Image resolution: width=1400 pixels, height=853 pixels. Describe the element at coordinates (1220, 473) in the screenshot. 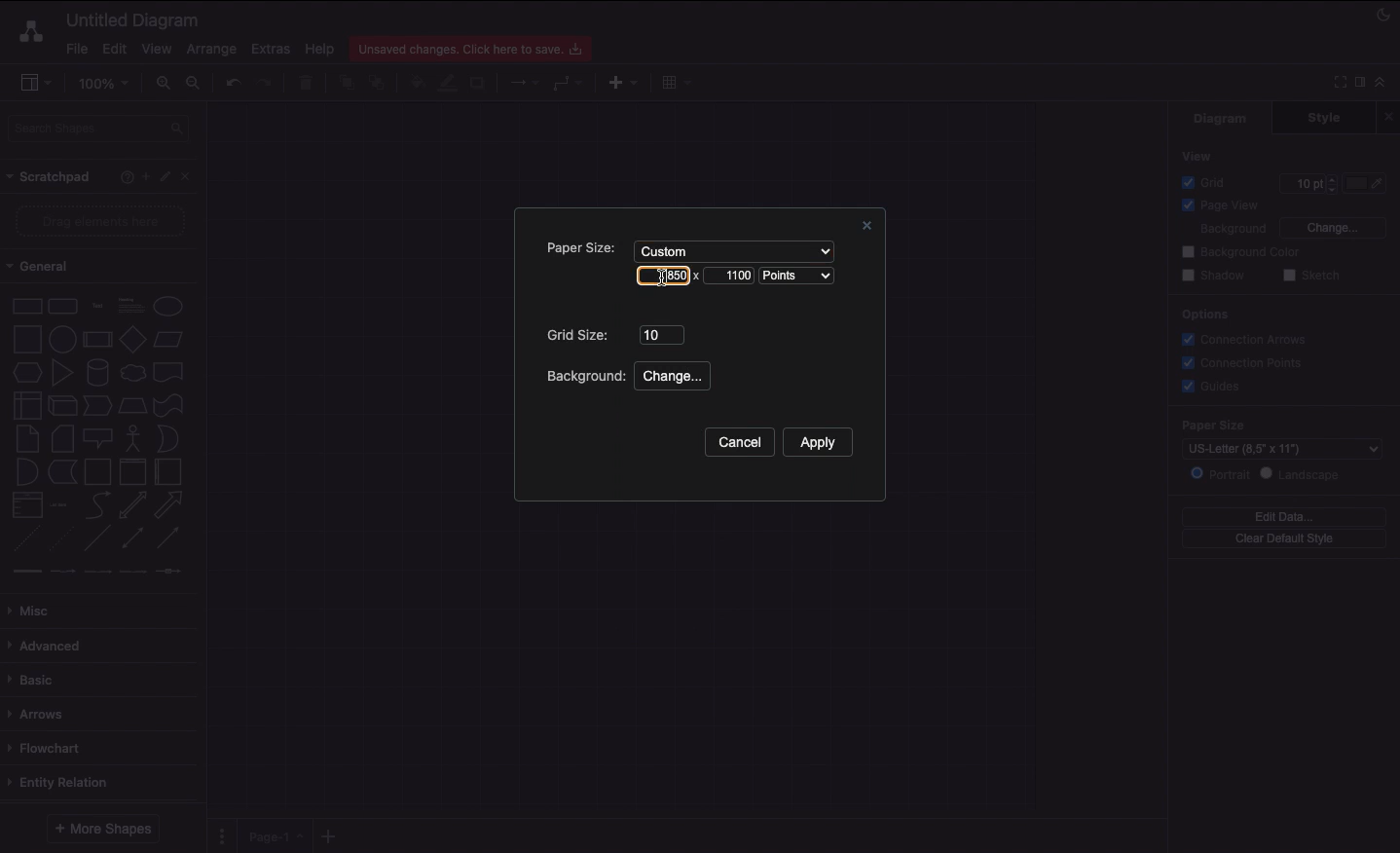

I see `Portrait ` at that location.